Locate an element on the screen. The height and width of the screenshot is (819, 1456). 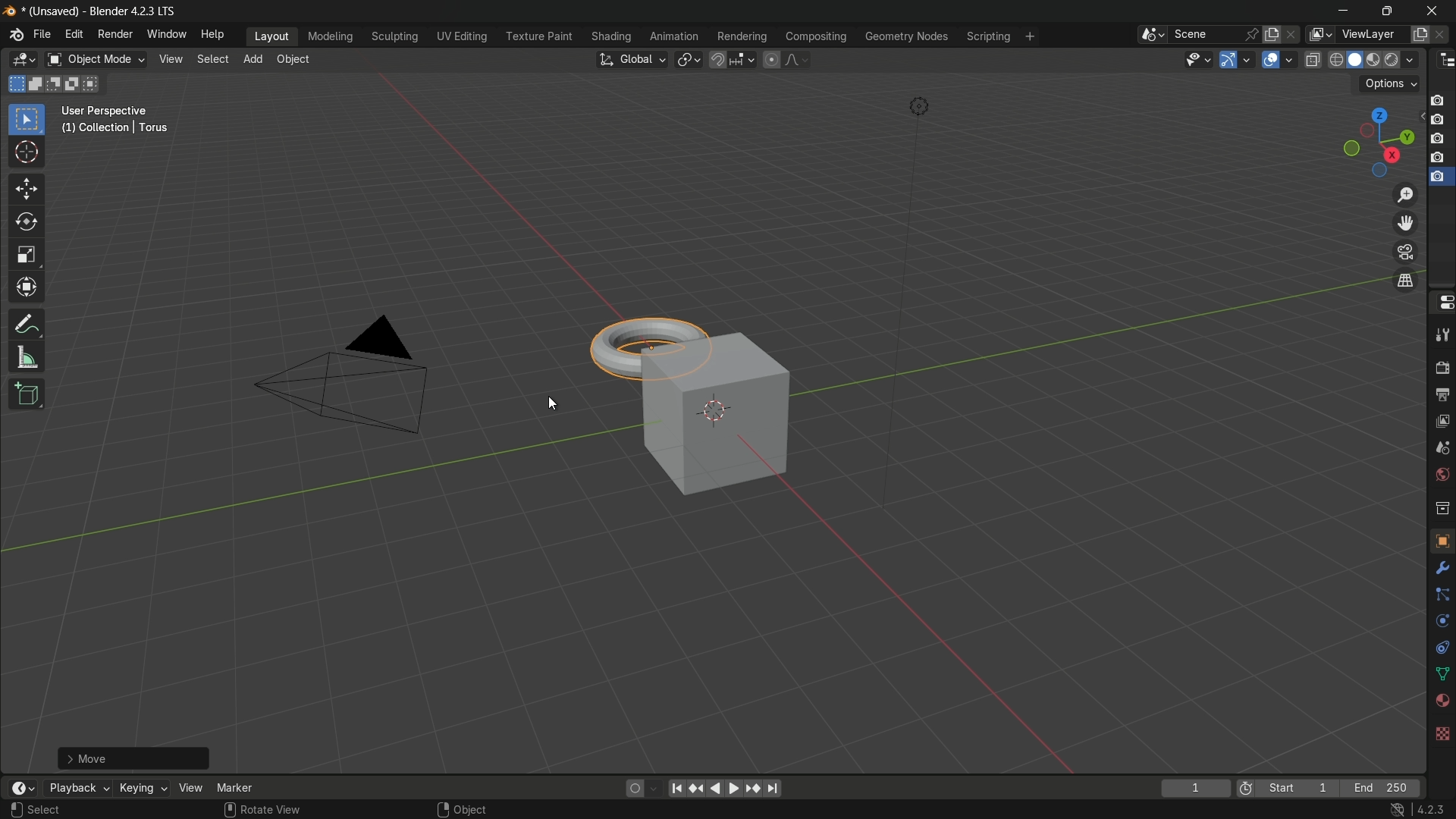
play animation is located at coordinates (725, 788).